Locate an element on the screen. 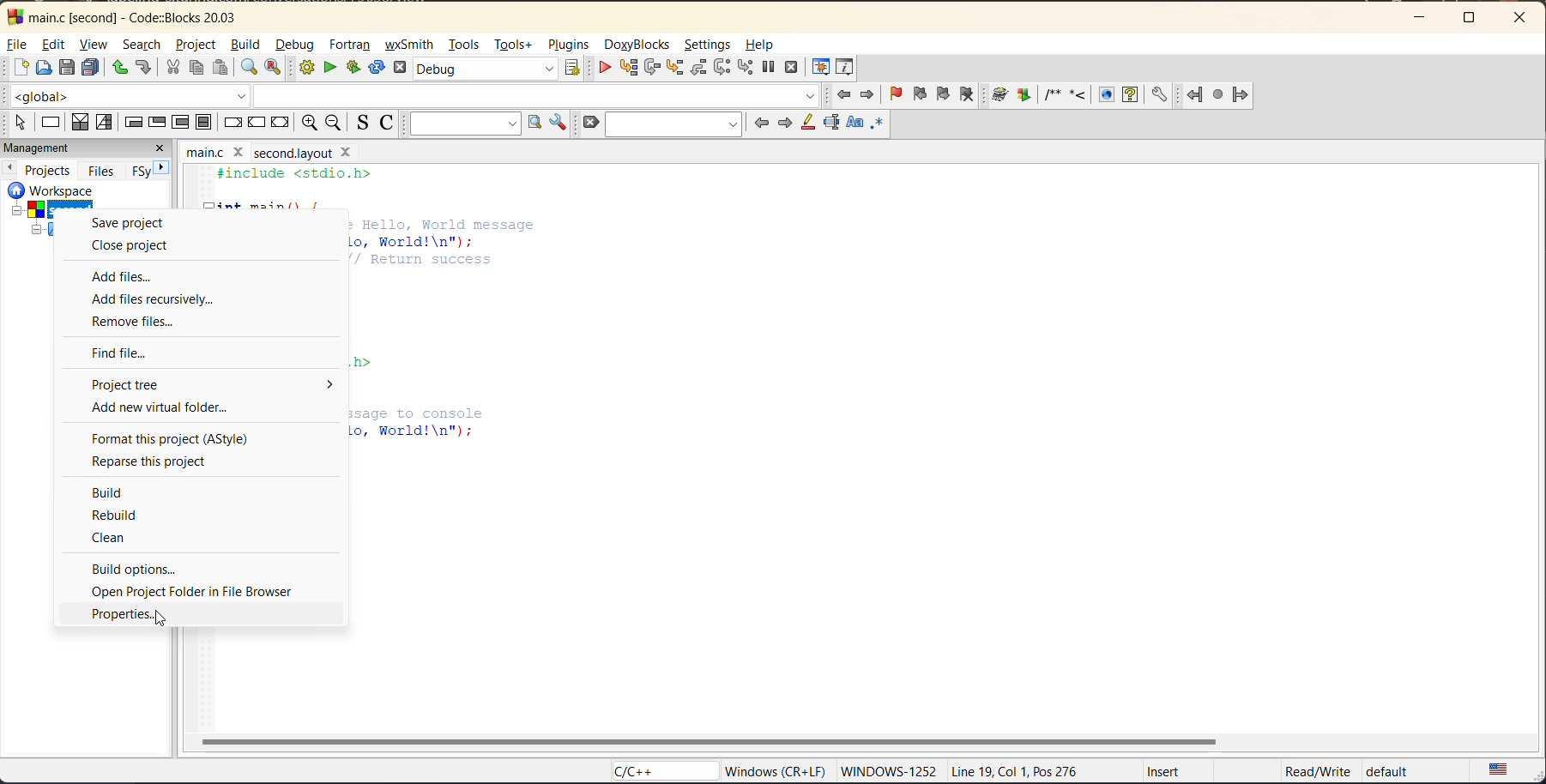 This screenshot has height=784, width=1546. filename is located at coordinates (284, 154).